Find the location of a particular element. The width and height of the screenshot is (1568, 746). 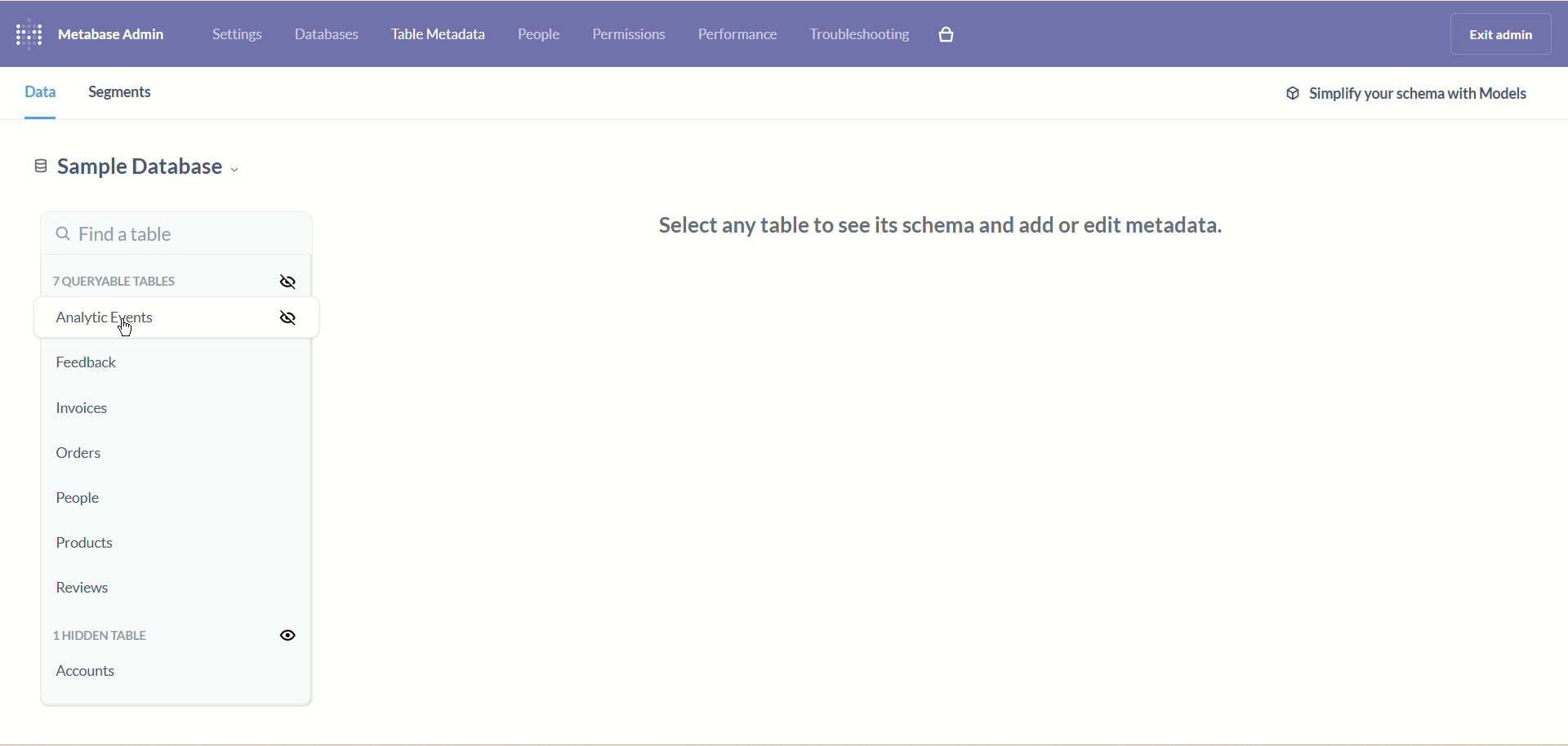

Troubleshooting is located at coordinates (863, 36).